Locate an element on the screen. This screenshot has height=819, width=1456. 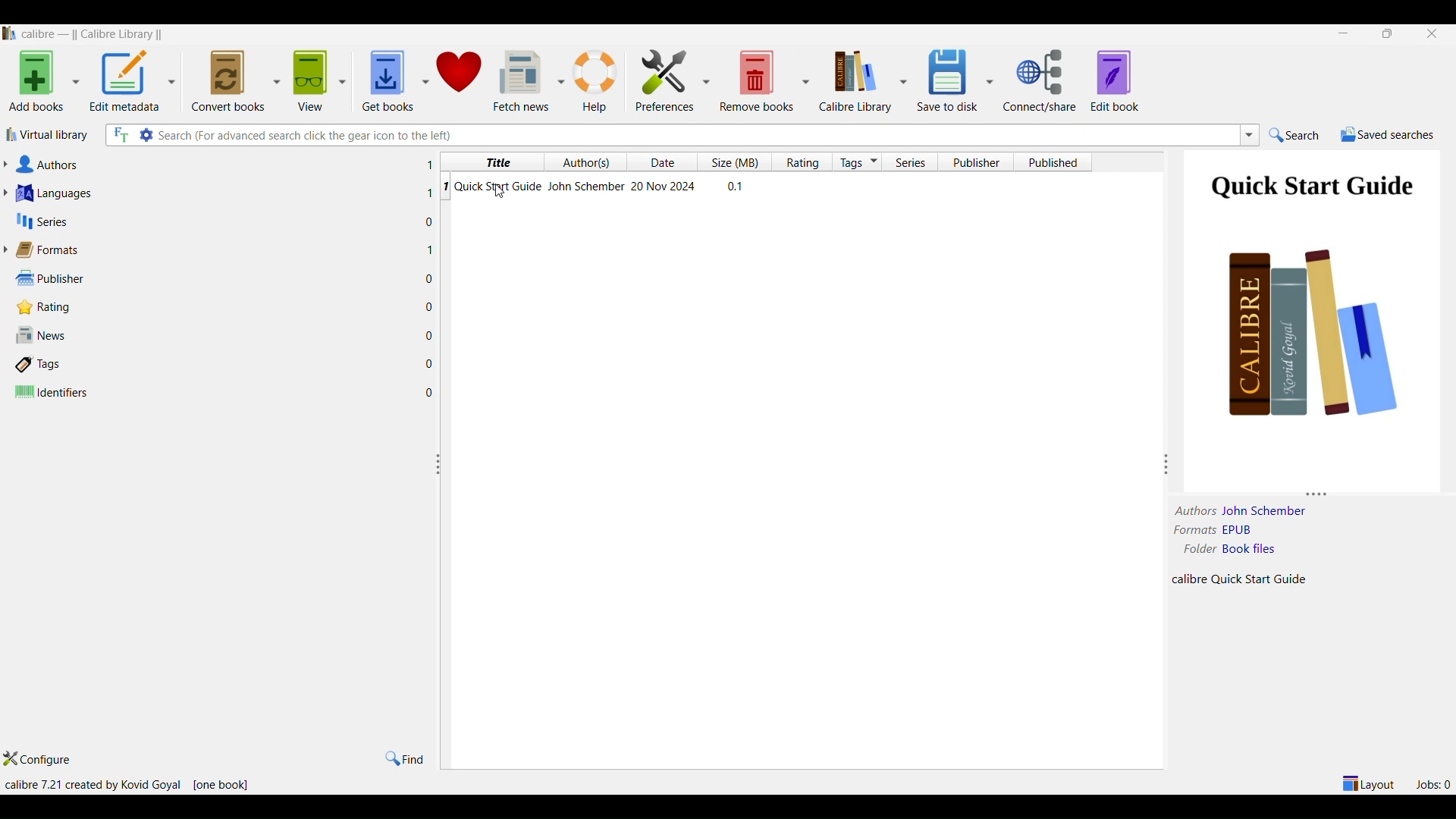
configure is located at coordinates (42, 761).